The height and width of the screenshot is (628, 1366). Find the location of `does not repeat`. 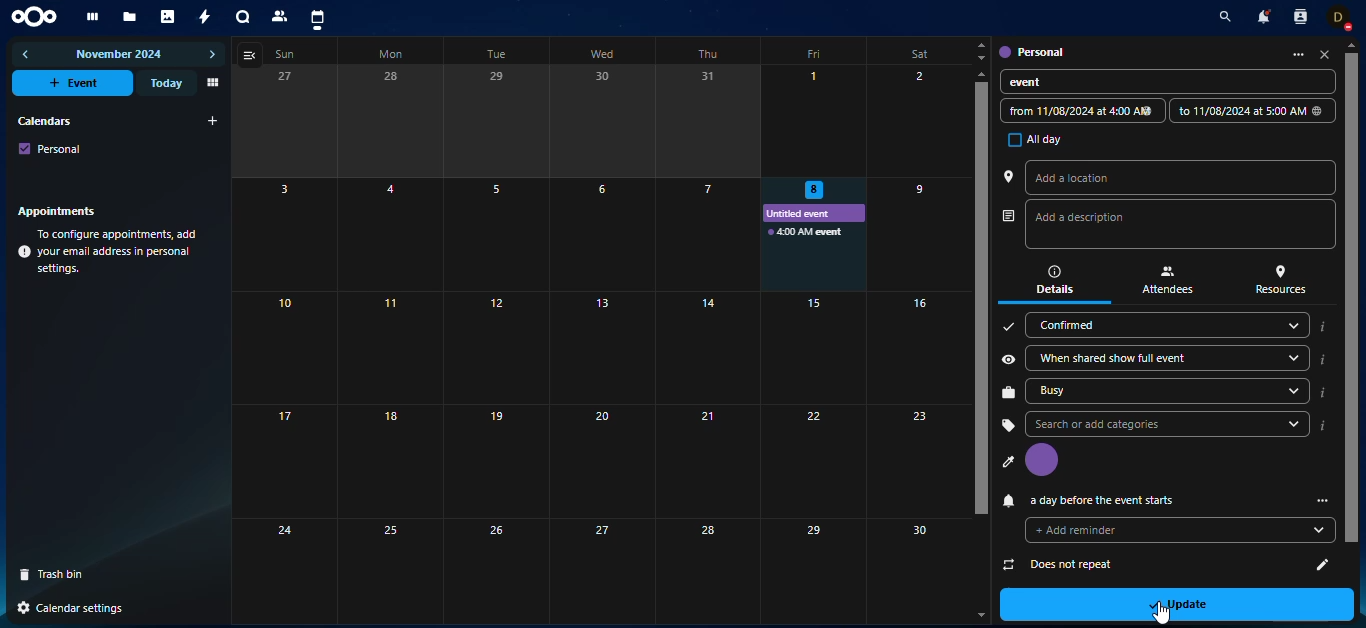

does not repeat is located at coordinates (1103, 530).